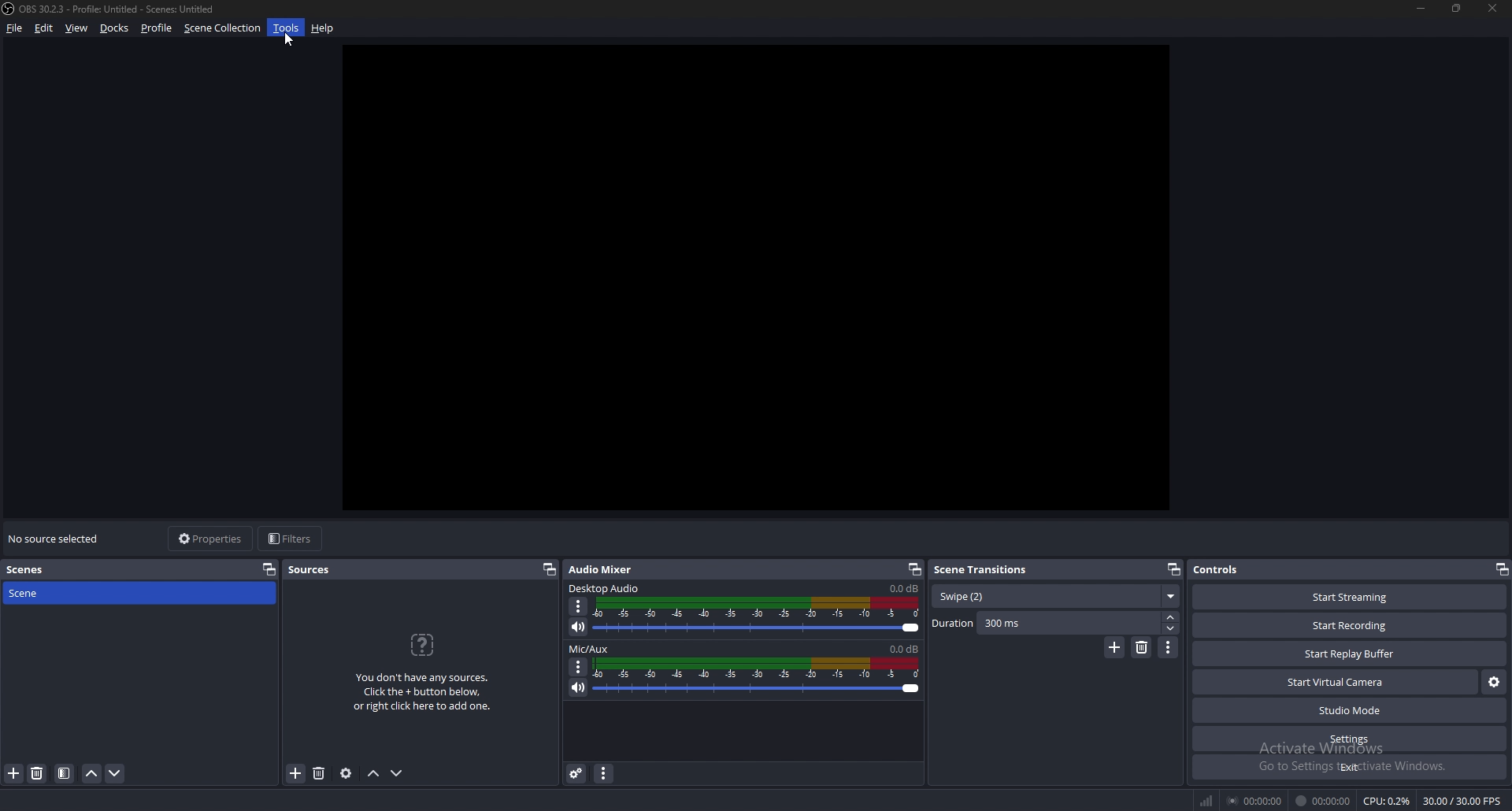  What do you see at coordinates (771, 284) in the screenshot?
I see `canvas` at bounding box center [771, 284].